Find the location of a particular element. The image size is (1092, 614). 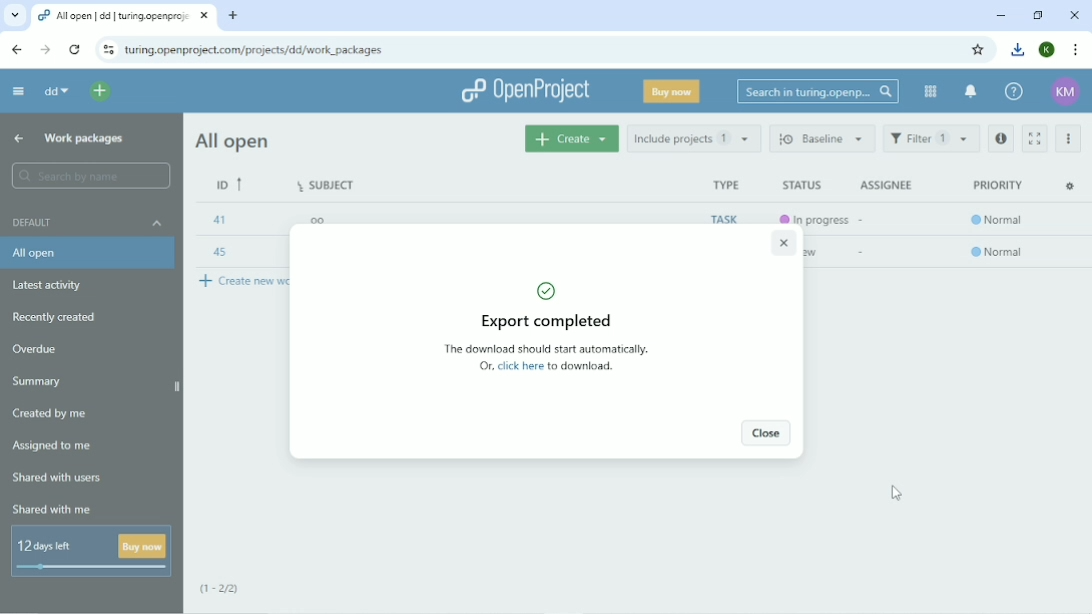

Default is located at coordinates (87, 221).